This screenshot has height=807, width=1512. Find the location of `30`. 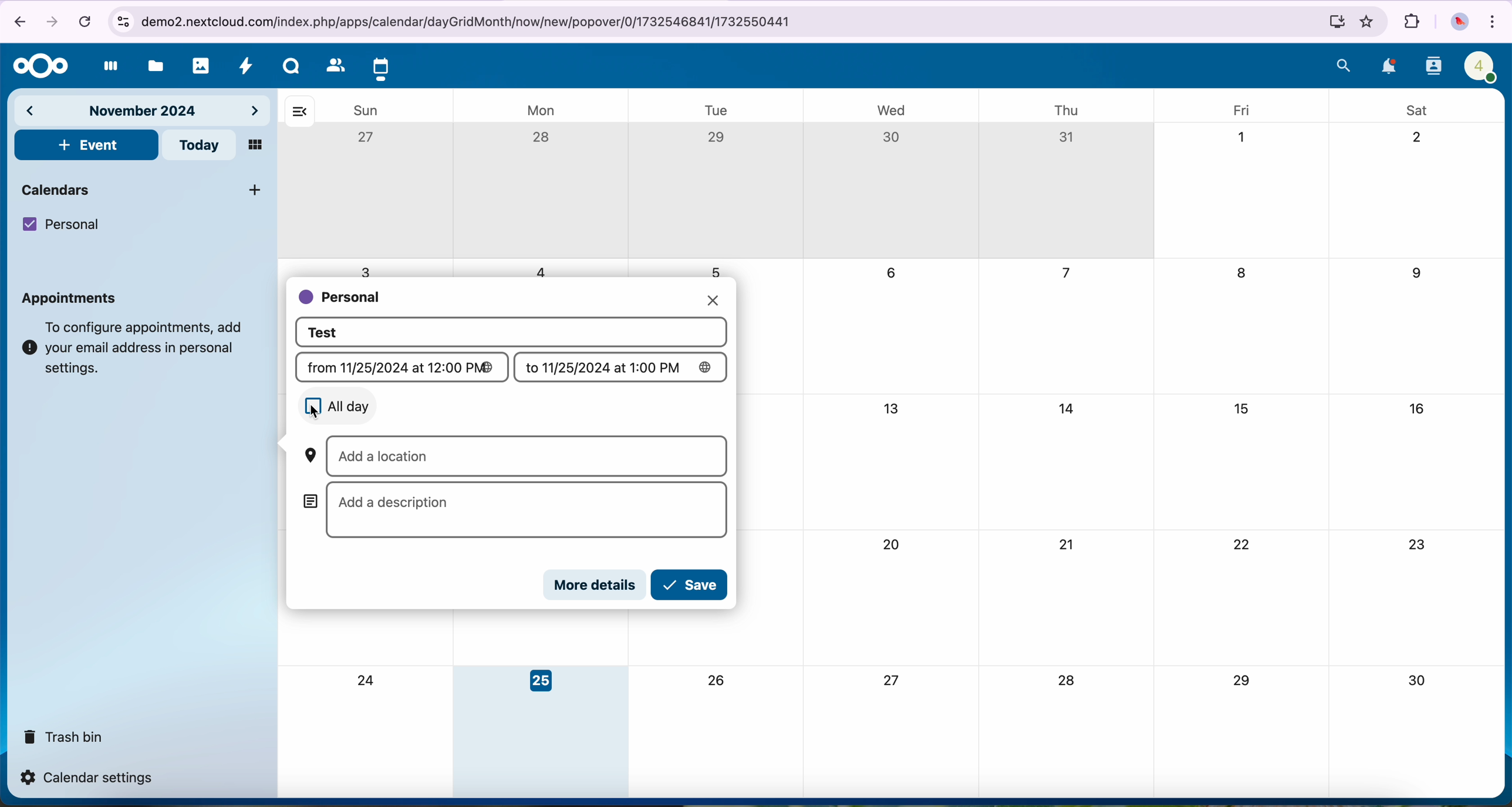

30 is located at coordinates (1416, 681).